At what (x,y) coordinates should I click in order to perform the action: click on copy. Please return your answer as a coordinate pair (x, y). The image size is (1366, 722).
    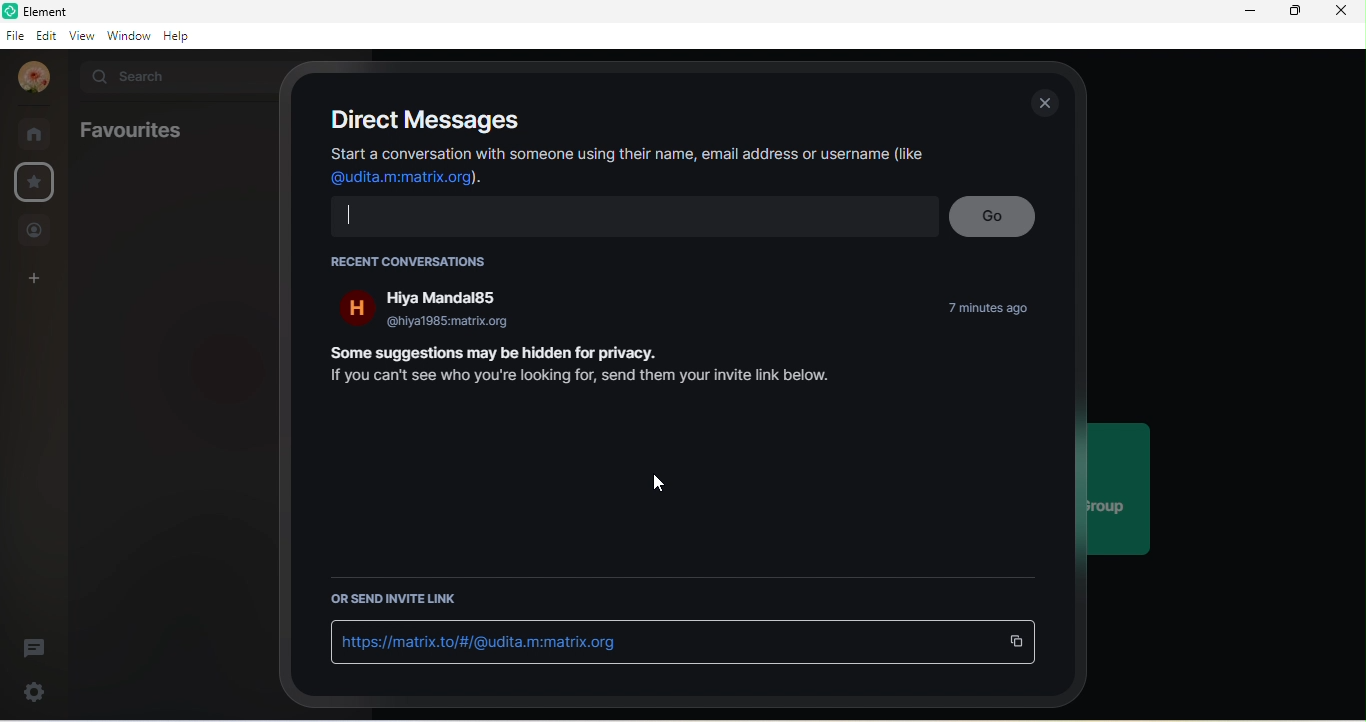
    Looking at the image, I should click on (1017, 642).